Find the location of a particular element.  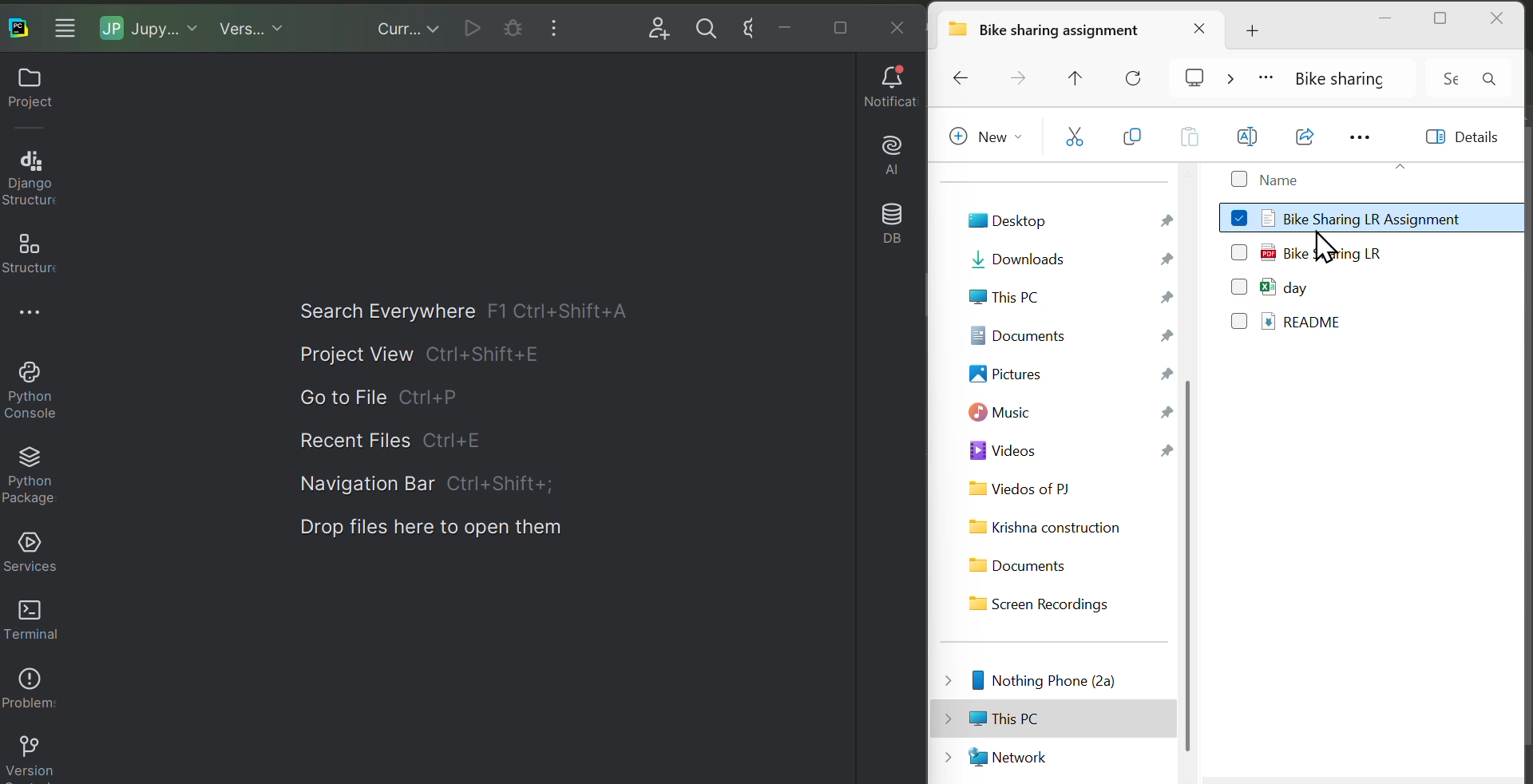

Terminal is located at coordinates (33, 617).